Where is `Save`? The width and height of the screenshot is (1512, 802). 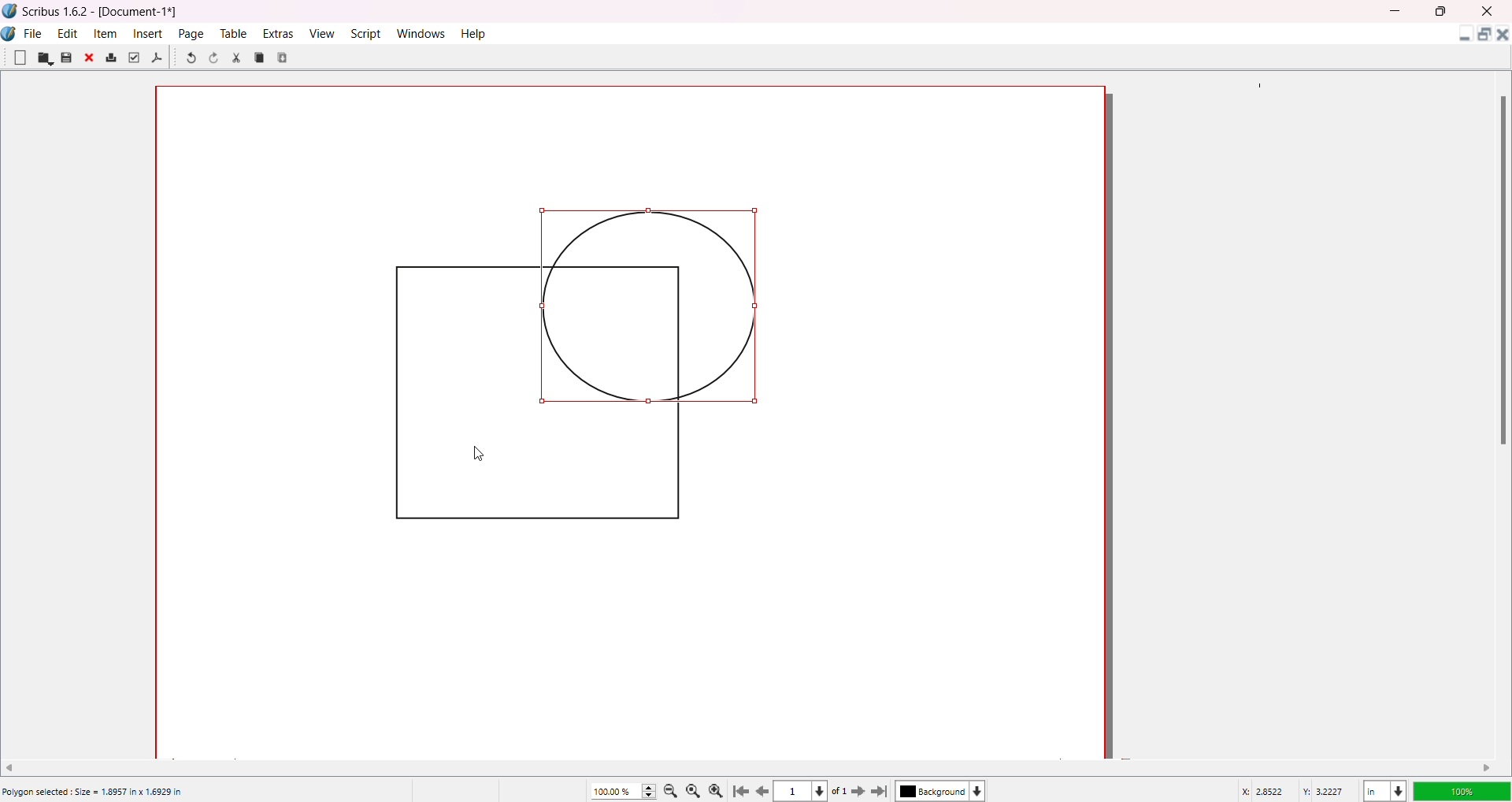
Save is located at coordinates (66, 58).